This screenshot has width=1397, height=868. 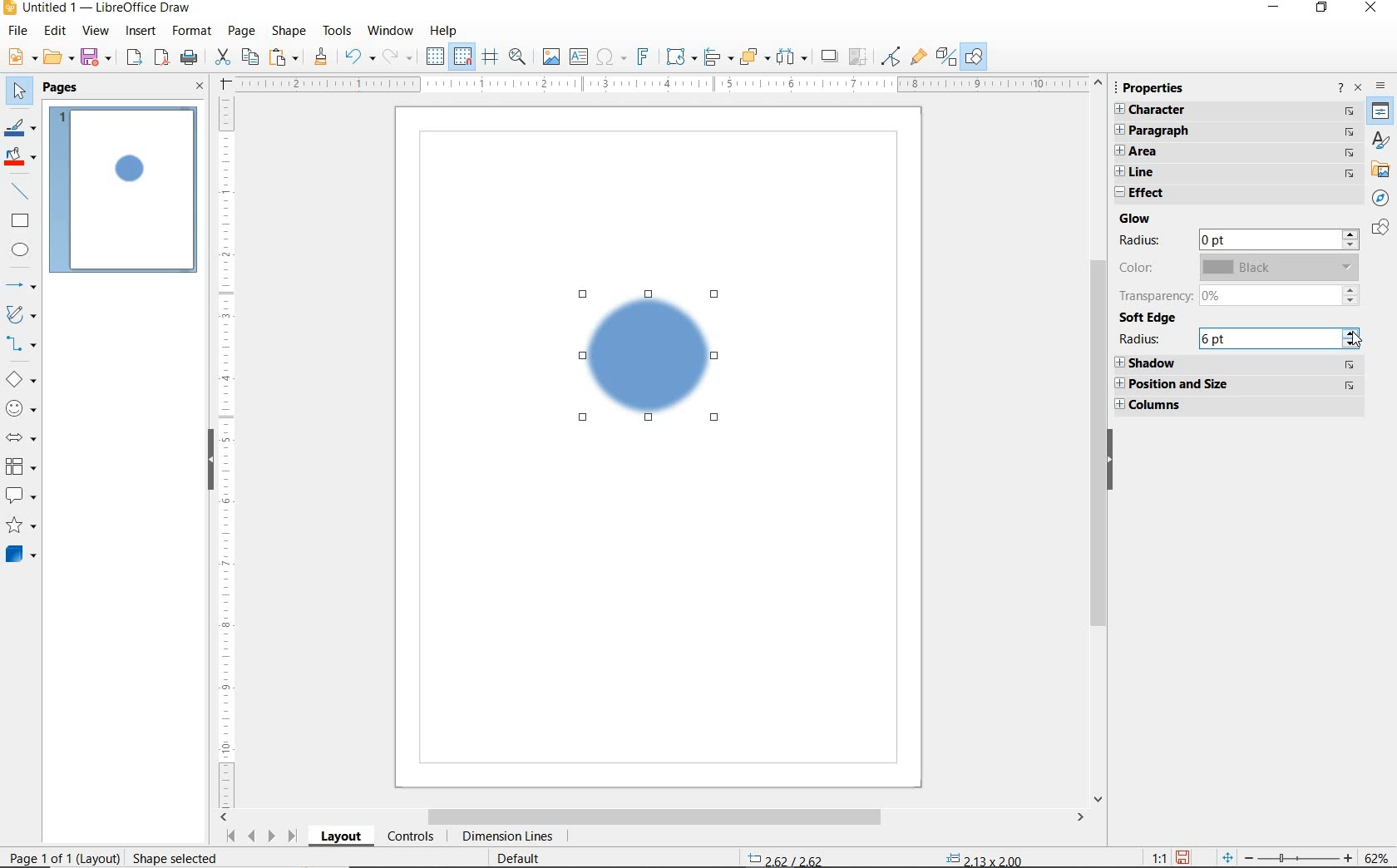 What do you see at coordinates (1349, 267) in the screenshot?
I see `drop down (greyed out)` at bounding box center [1349, 267].